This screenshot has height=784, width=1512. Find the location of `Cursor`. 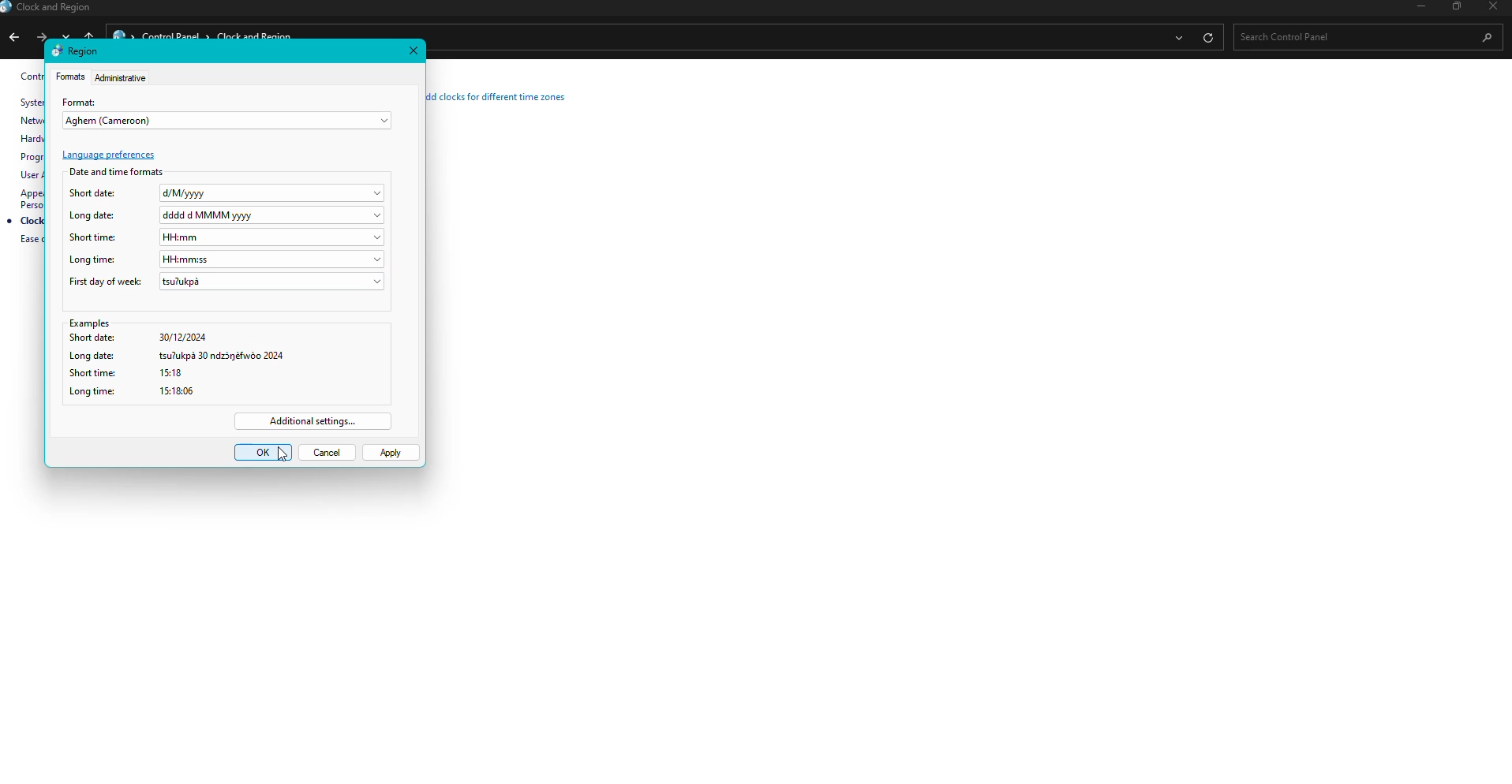

Cursor is located at coordinates (283, 454).